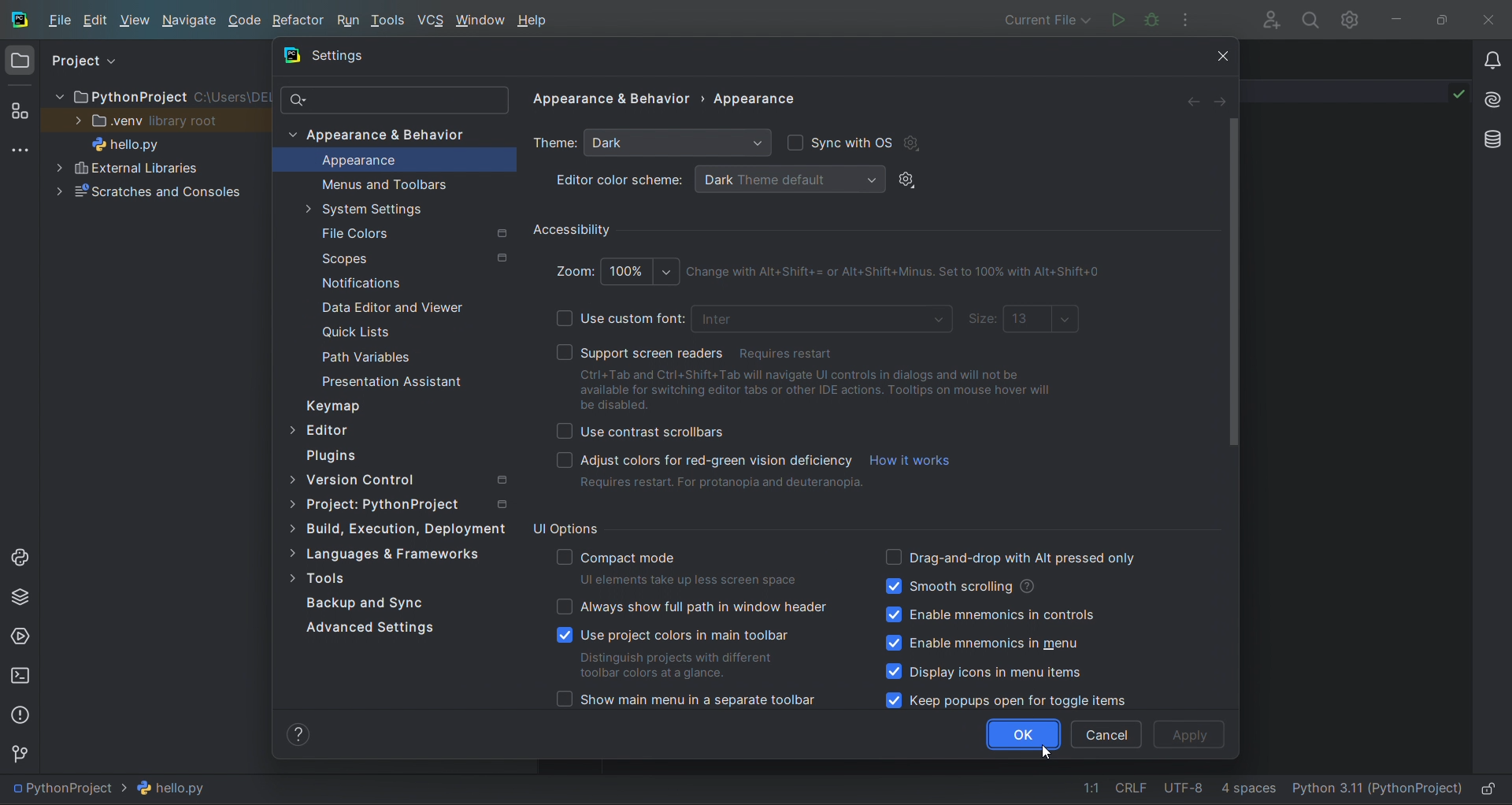  Describe the element at coordinates (823, 317) in the screenshot. I see `dropdown` at that location.